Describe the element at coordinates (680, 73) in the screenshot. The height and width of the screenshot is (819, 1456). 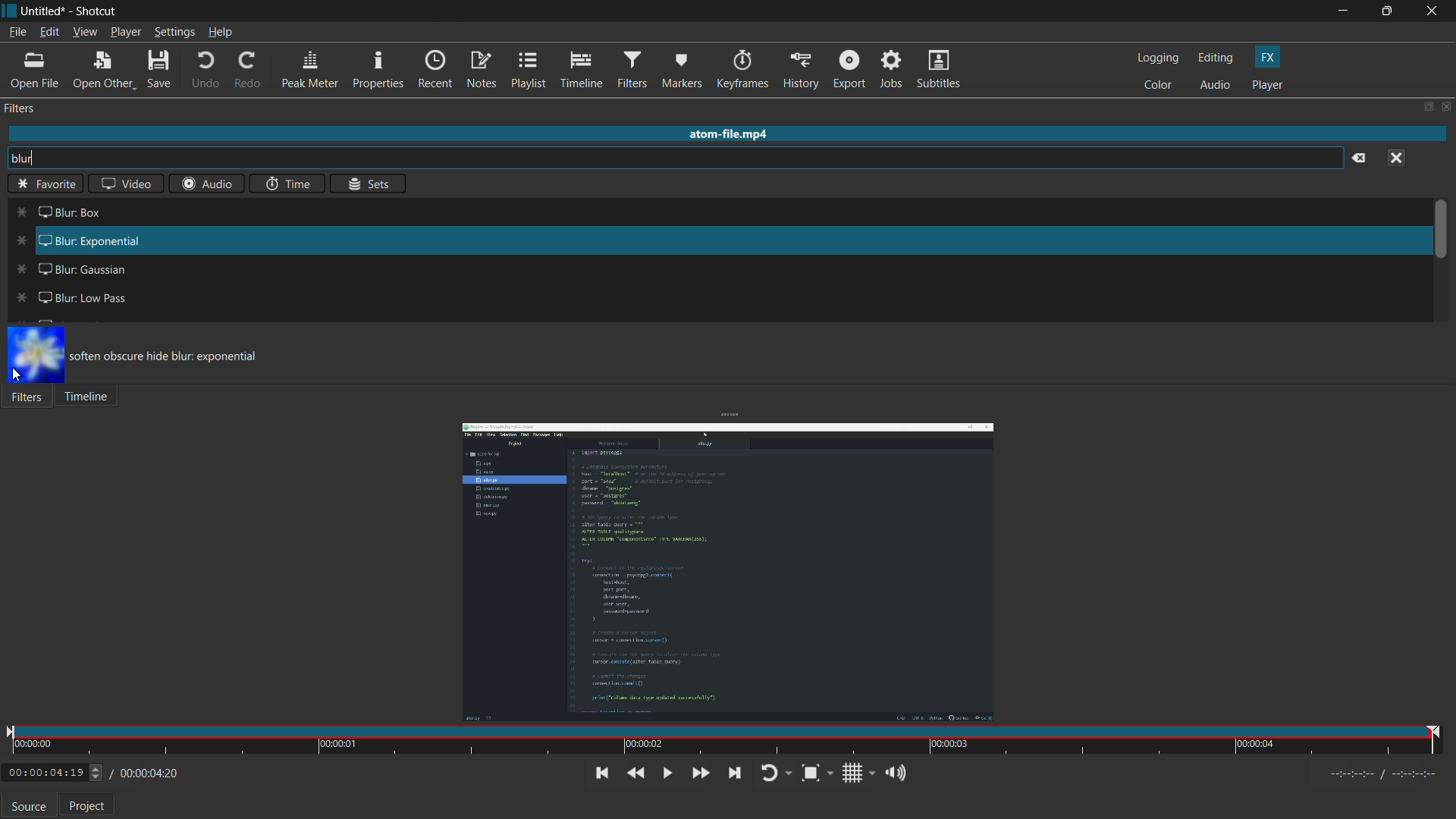
I see `markers` at that location.